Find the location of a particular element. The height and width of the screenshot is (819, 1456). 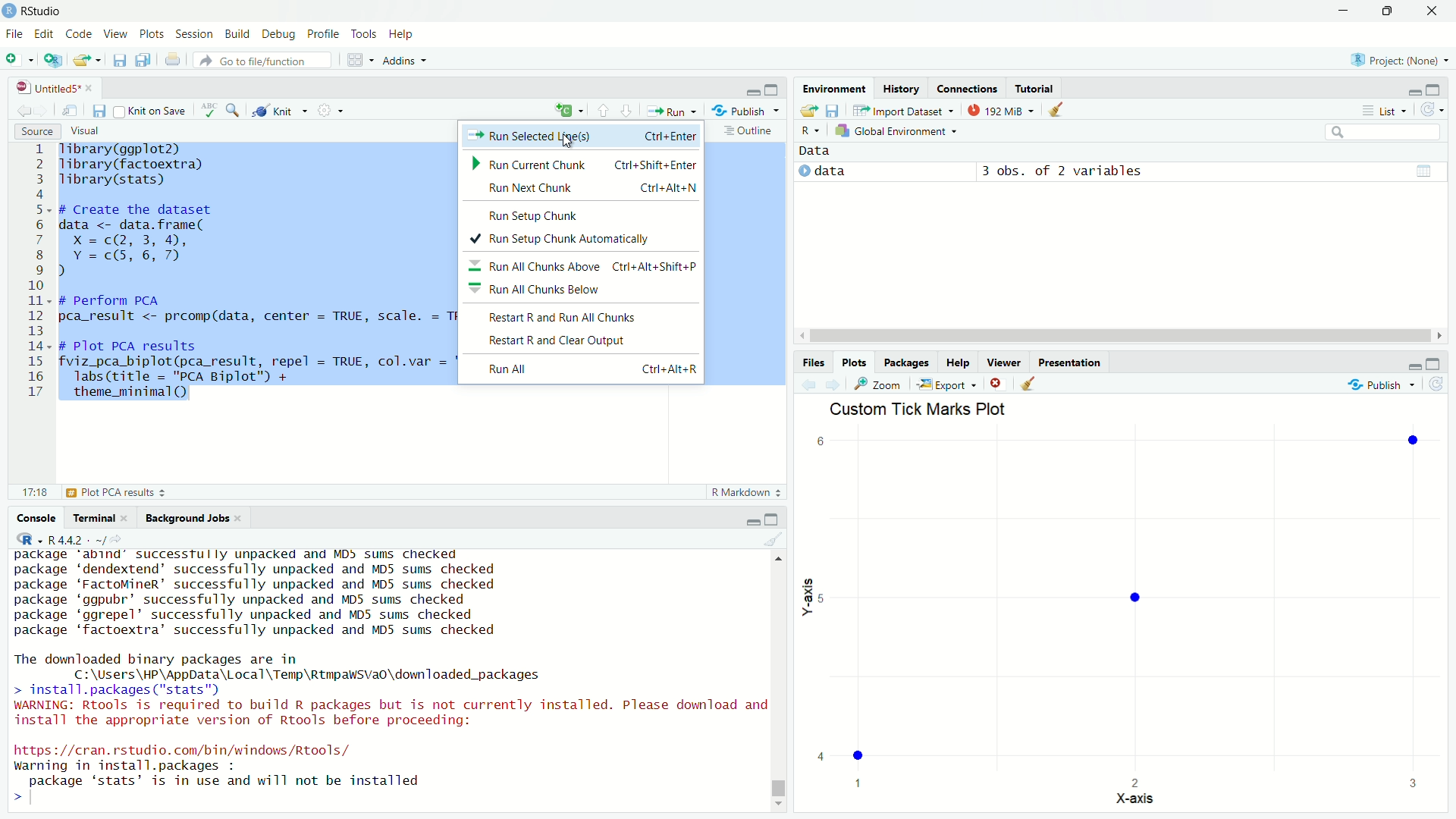

Help is located at coordinates (959, 362).